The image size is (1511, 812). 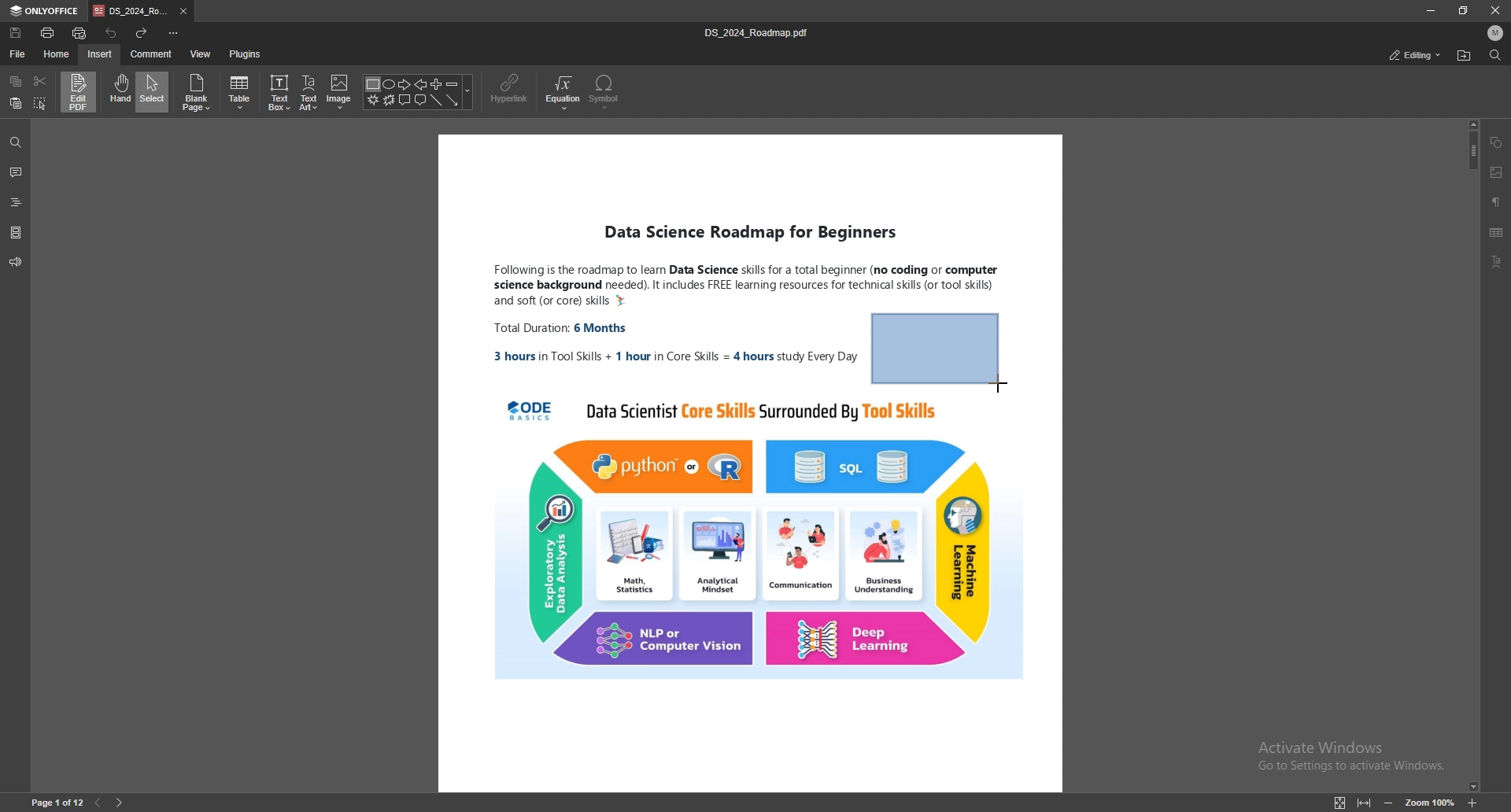 I want to click on resize, so click(x=1464, y=10).